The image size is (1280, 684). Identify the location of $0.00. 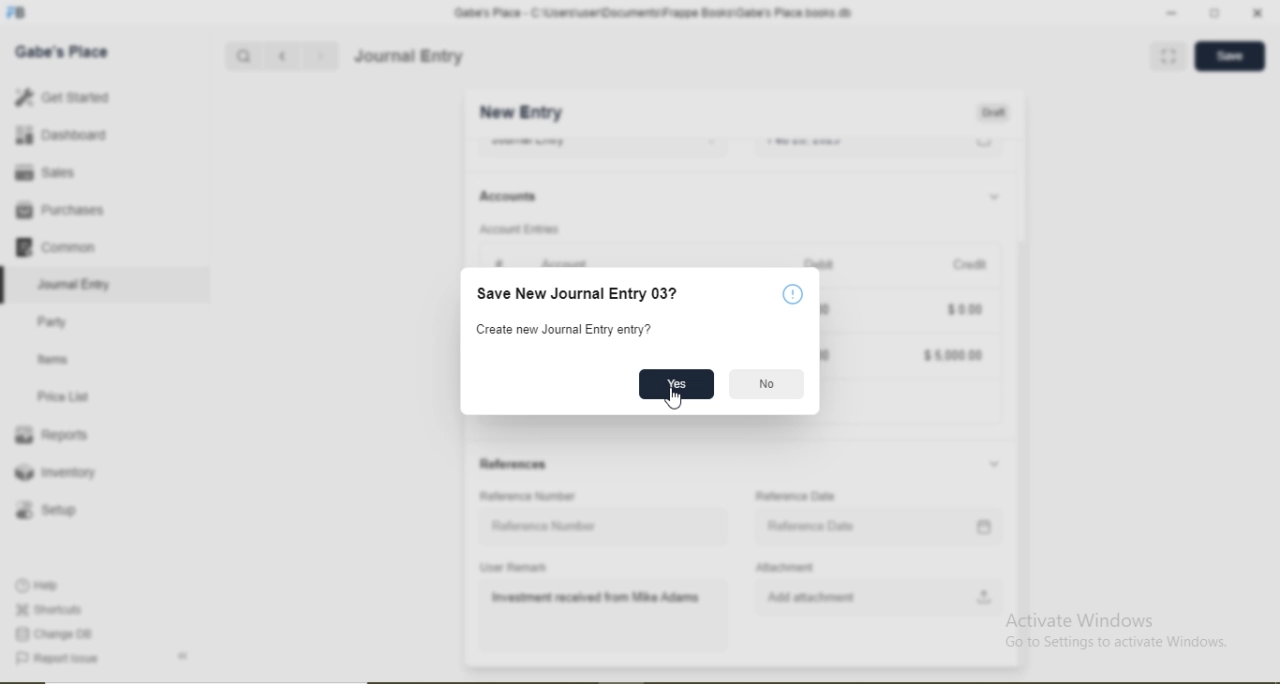
(964, 308).